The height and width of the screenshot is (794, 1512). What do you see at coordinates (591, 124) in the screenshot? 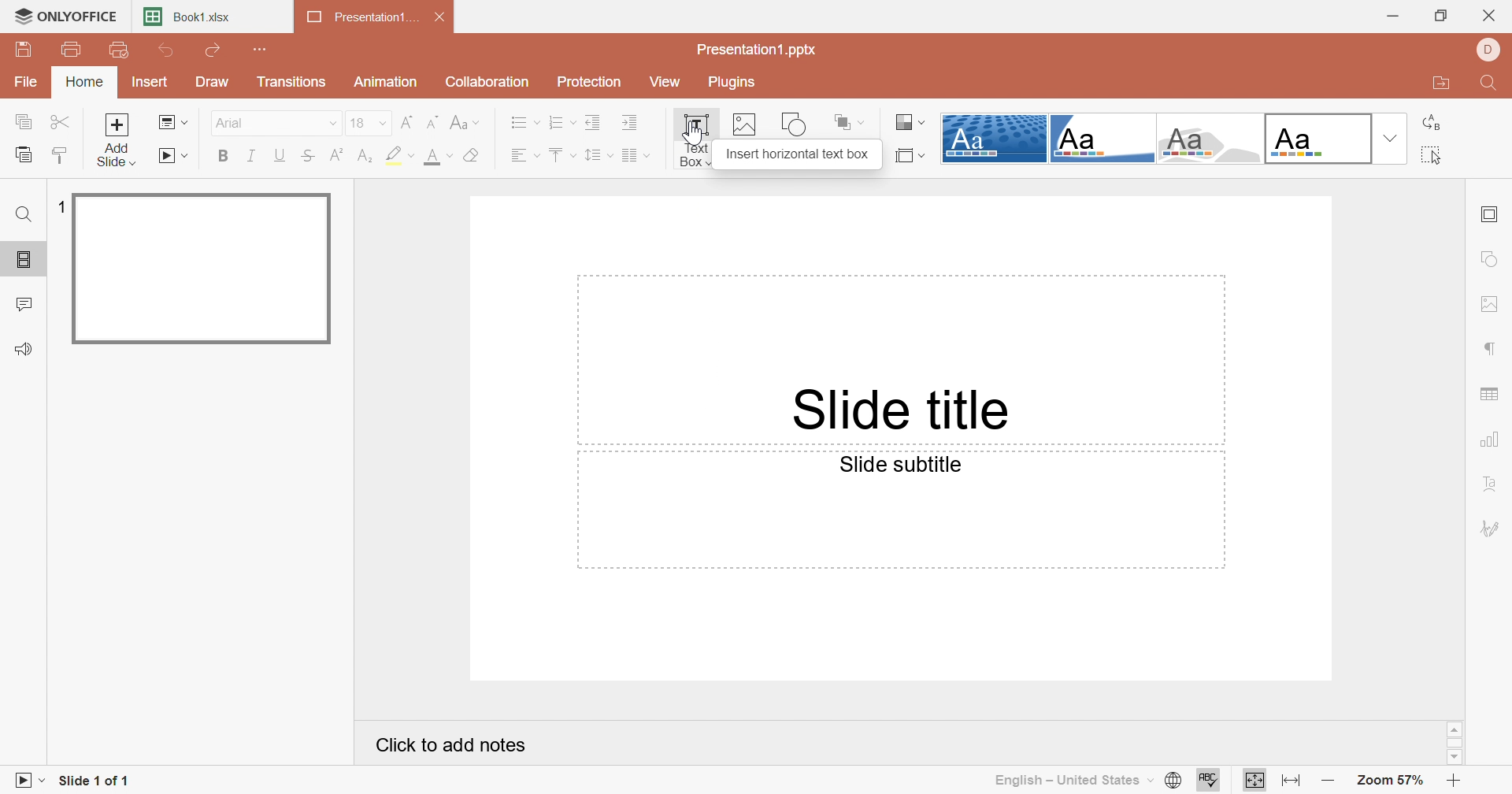
I see `Decrease indent` at bounding box center [591, 124].